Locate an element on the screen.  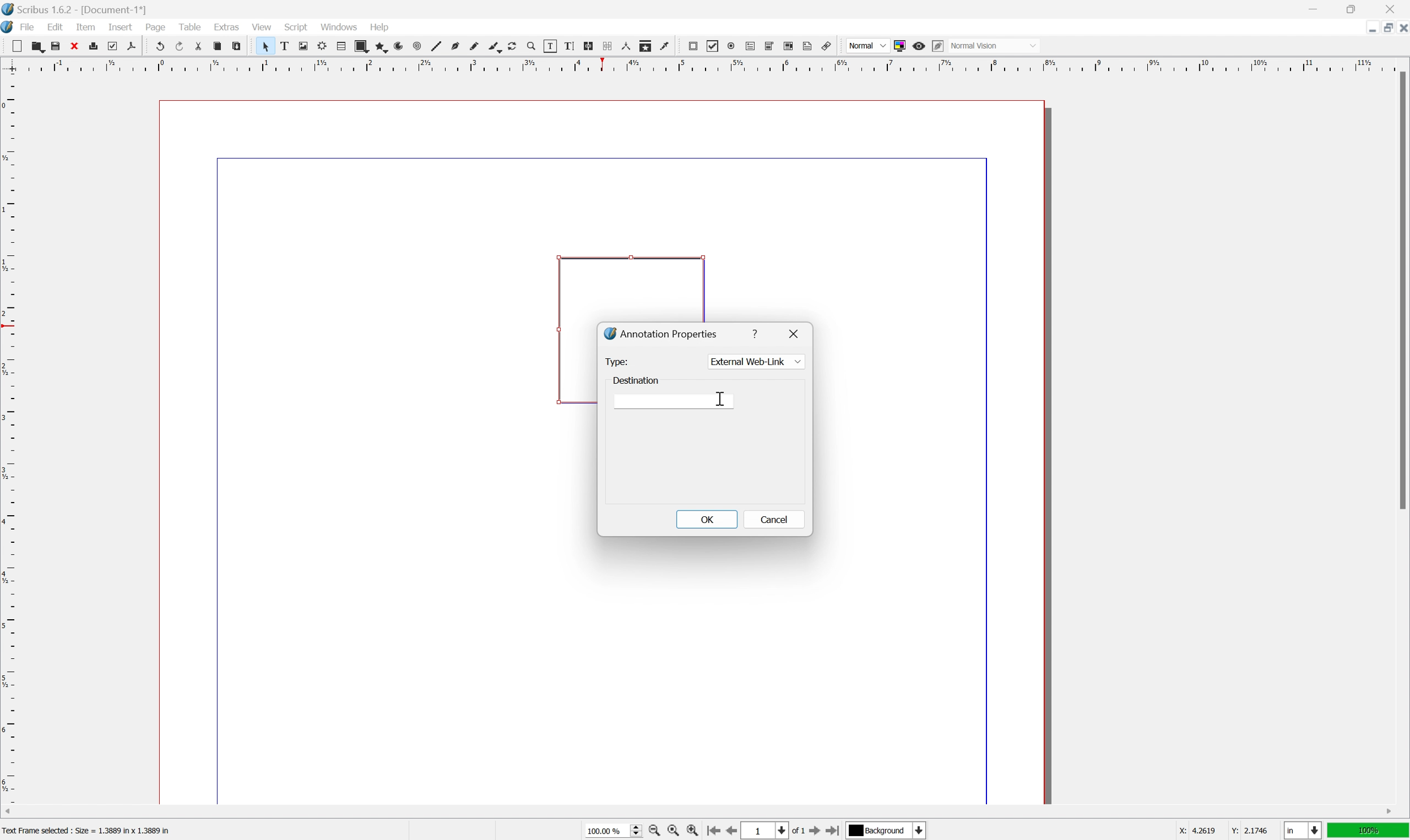
zoom out is located at coordinates (653, 831).